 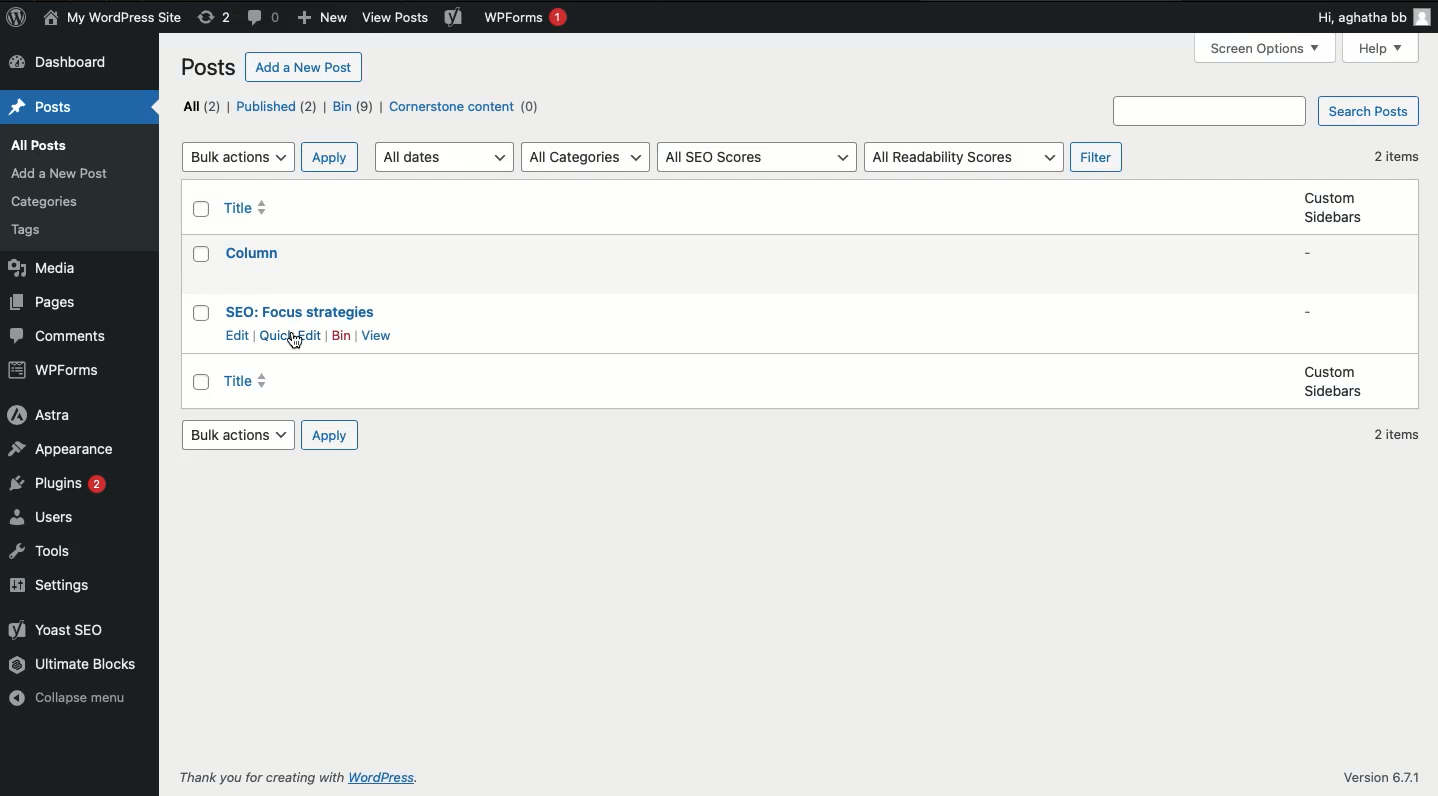 I want to click on Revisions, so click(x=214, y=18).